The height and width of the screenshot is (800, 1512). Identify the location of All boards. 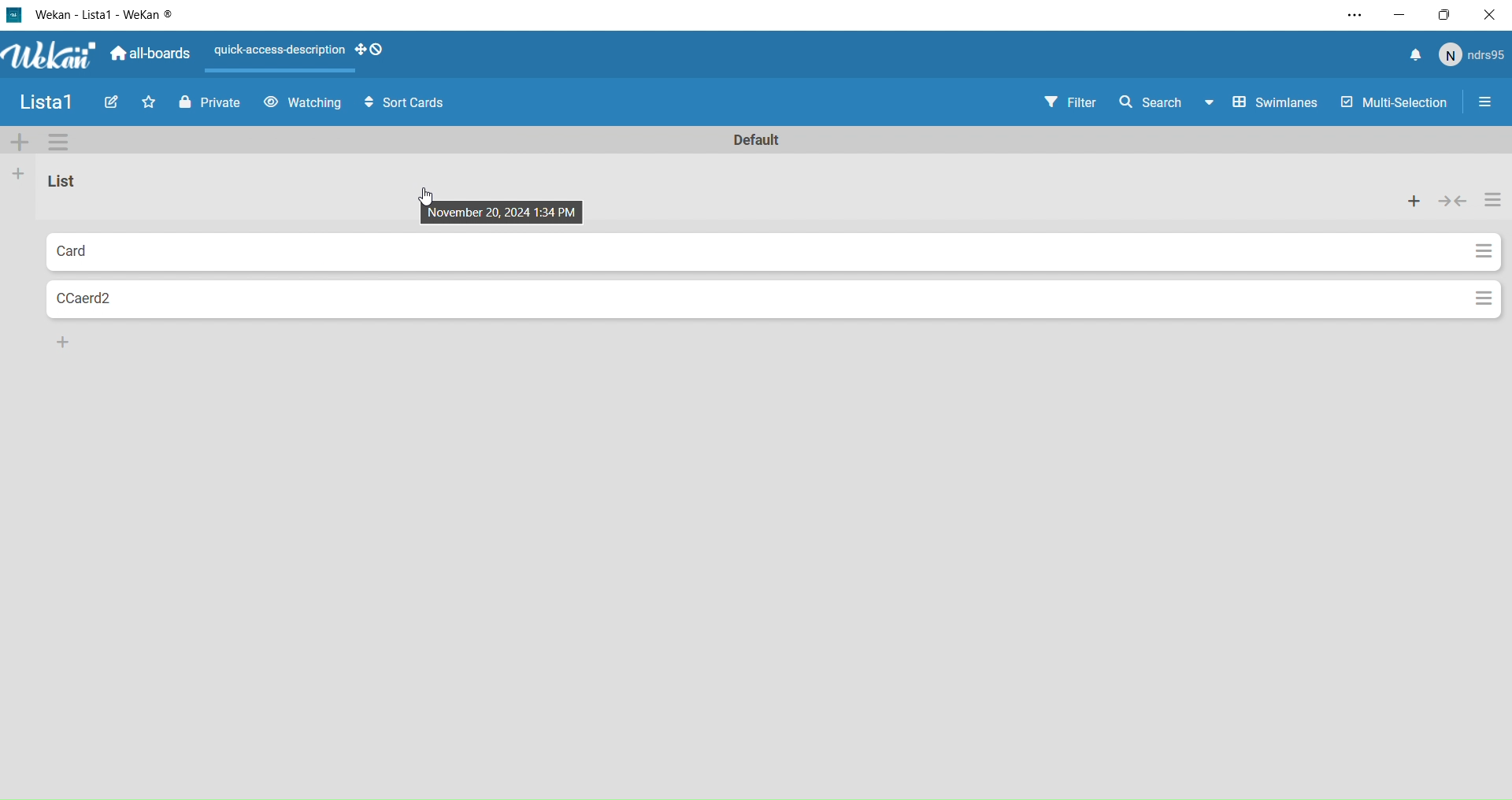
(152, 56).